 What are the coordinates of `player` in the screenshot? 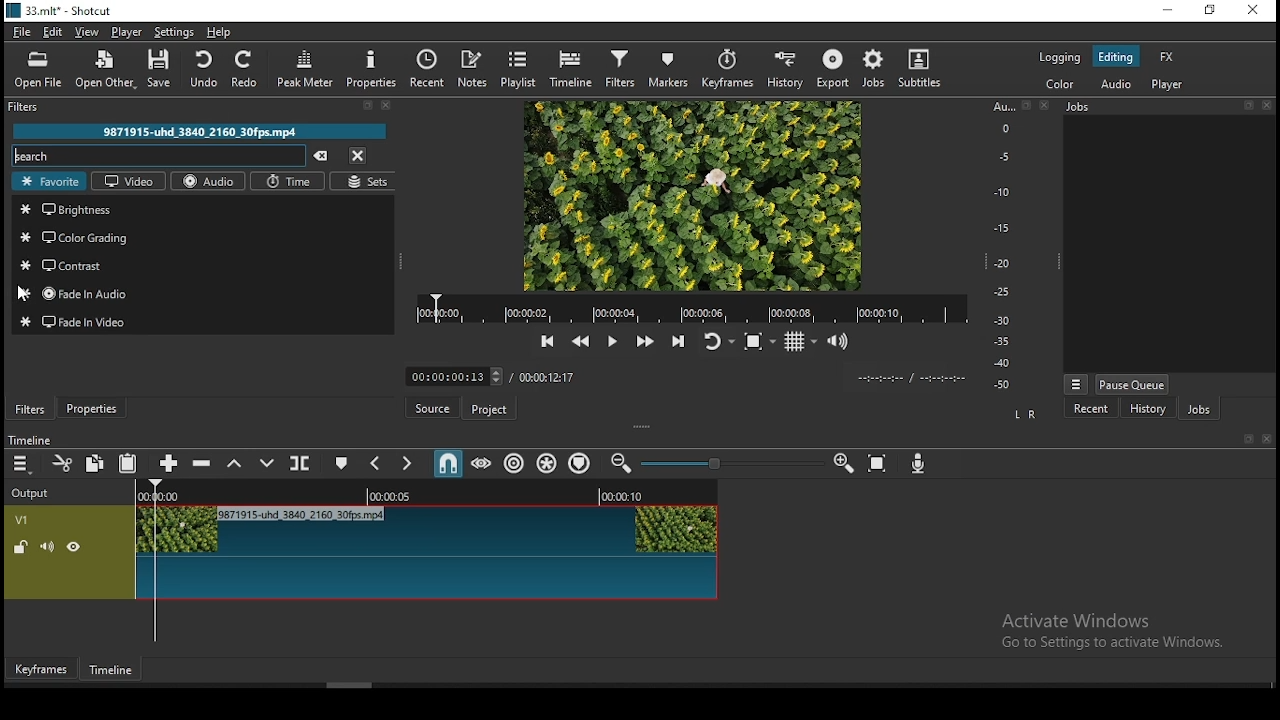 It's located at (129, 33).